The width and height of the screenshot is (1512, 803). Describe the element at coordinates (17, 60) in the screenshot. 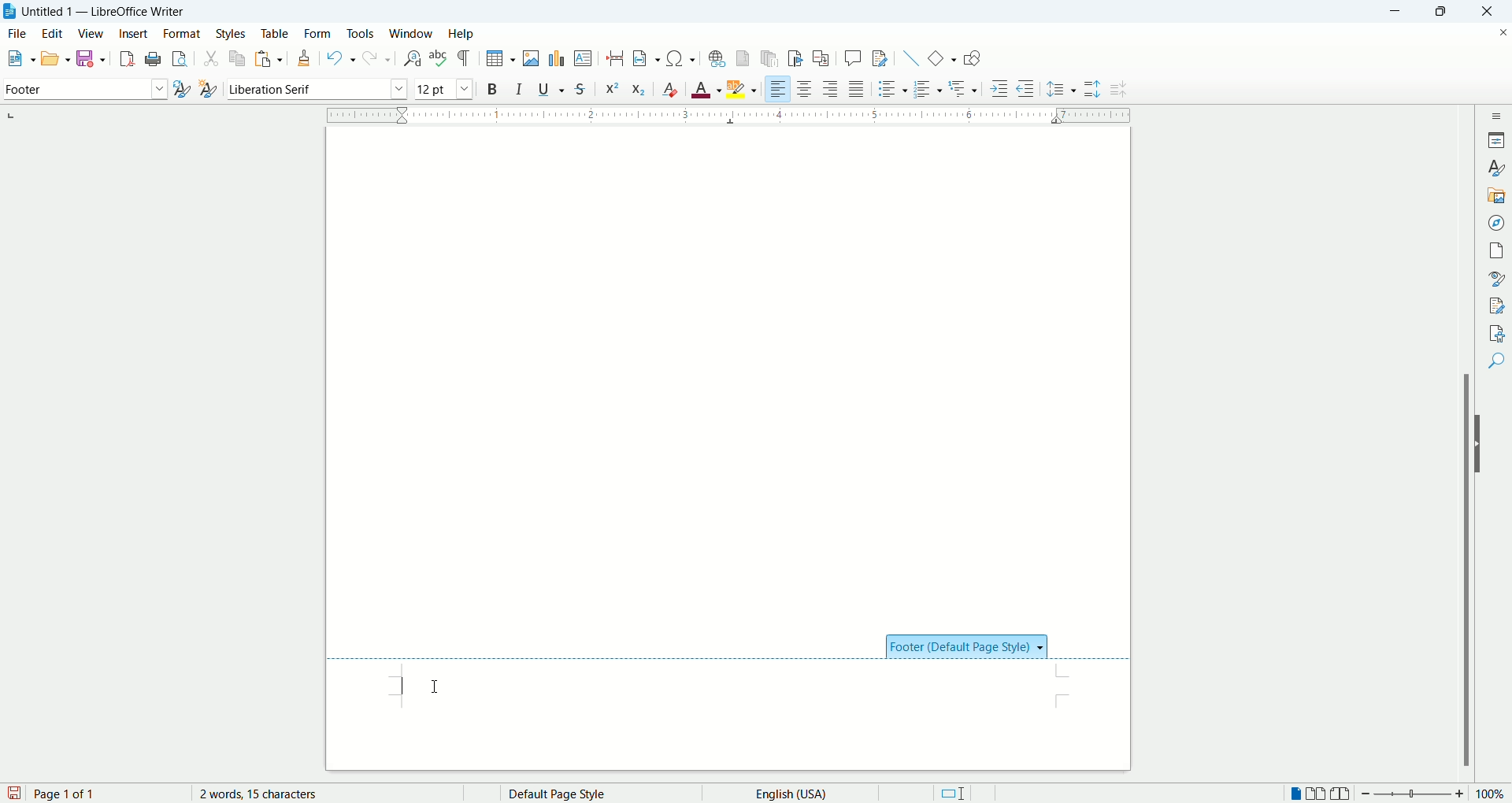

I see `open` at that location.